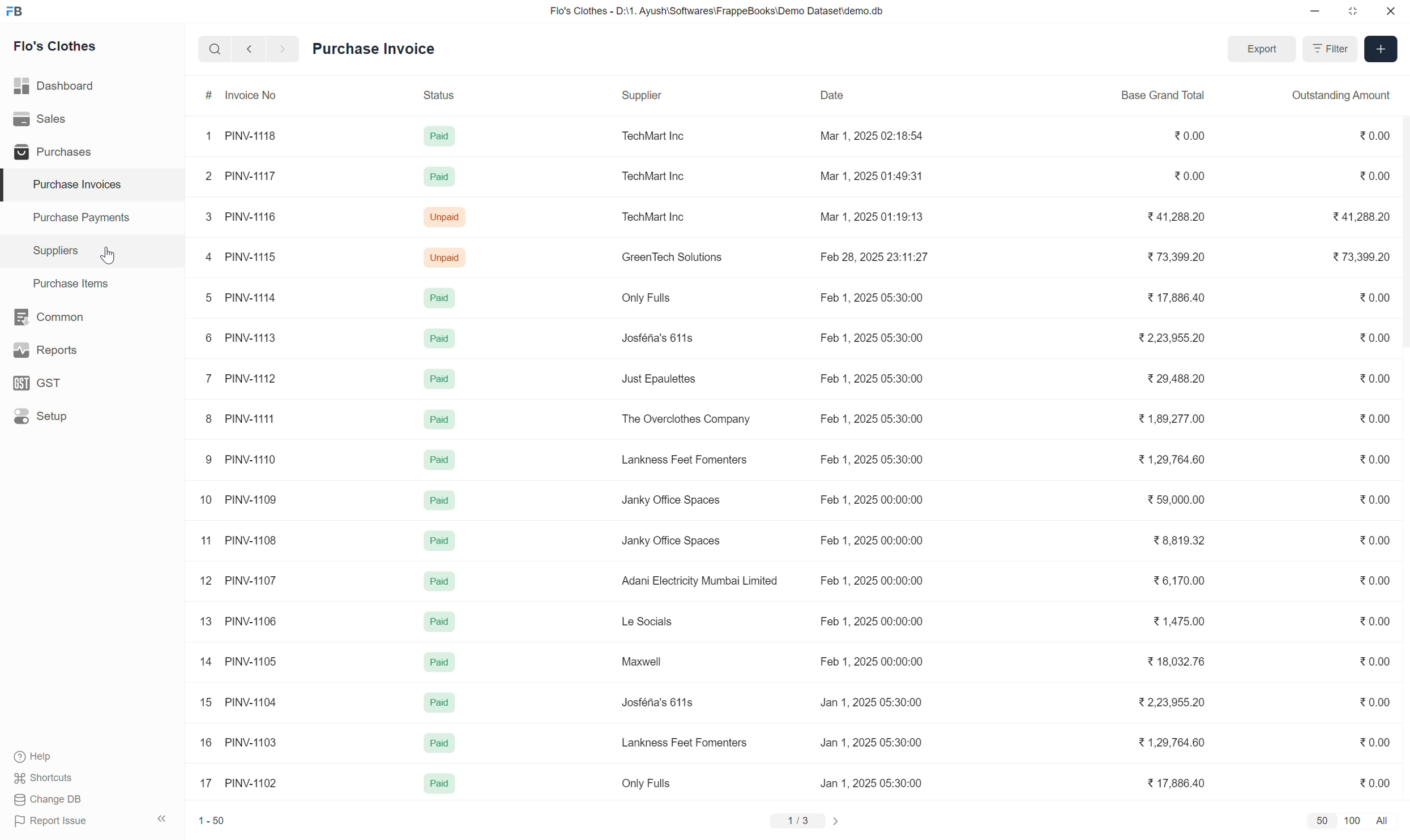  Describe the element at coordinates (236, 175) in the screenshot. I see `2 PINV-1117` at that location.